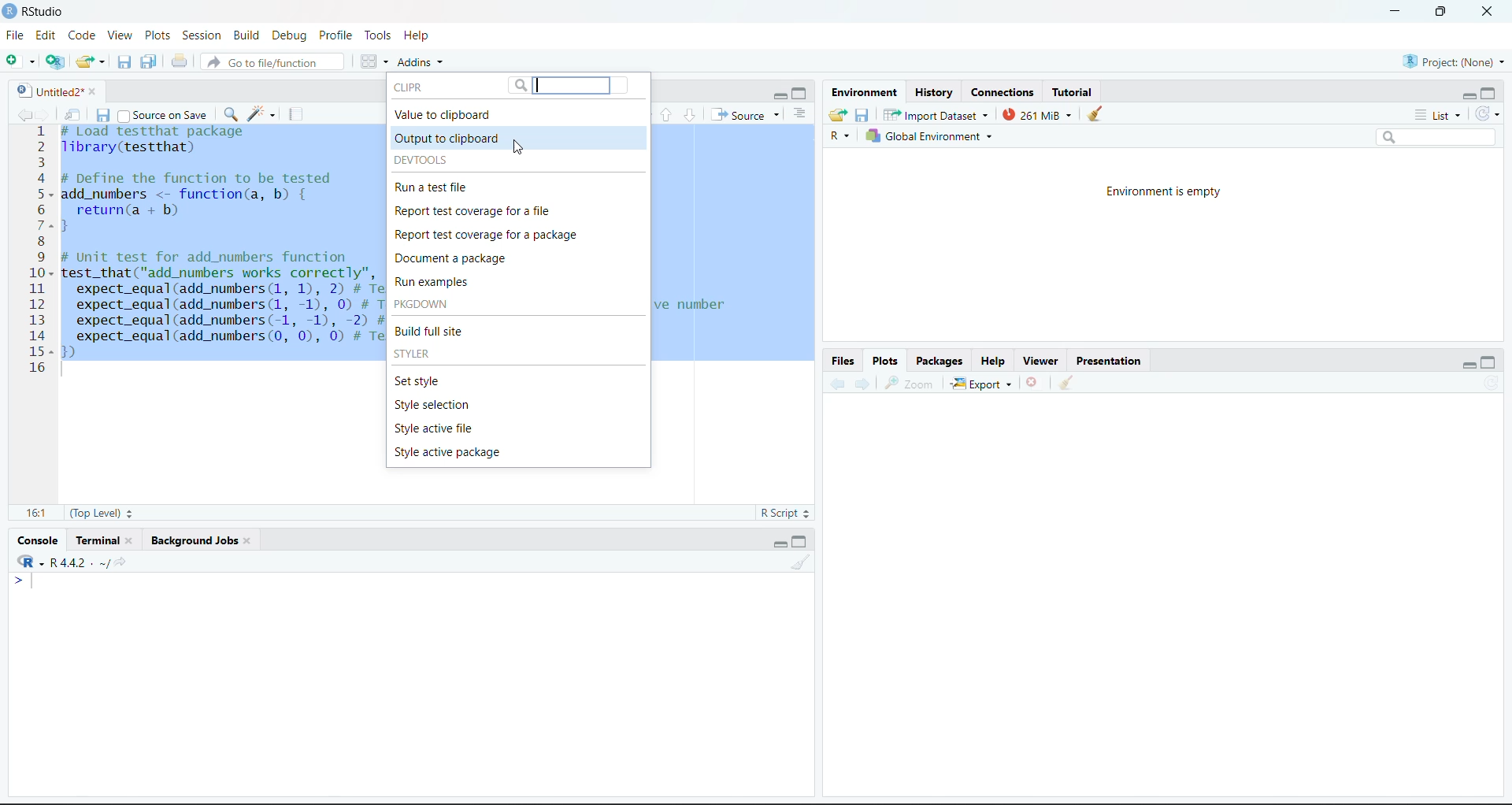 The image size is (1512, 805). Describe the element at coordinates (417, 382) in the screenshot. I see `Set style` at that location.